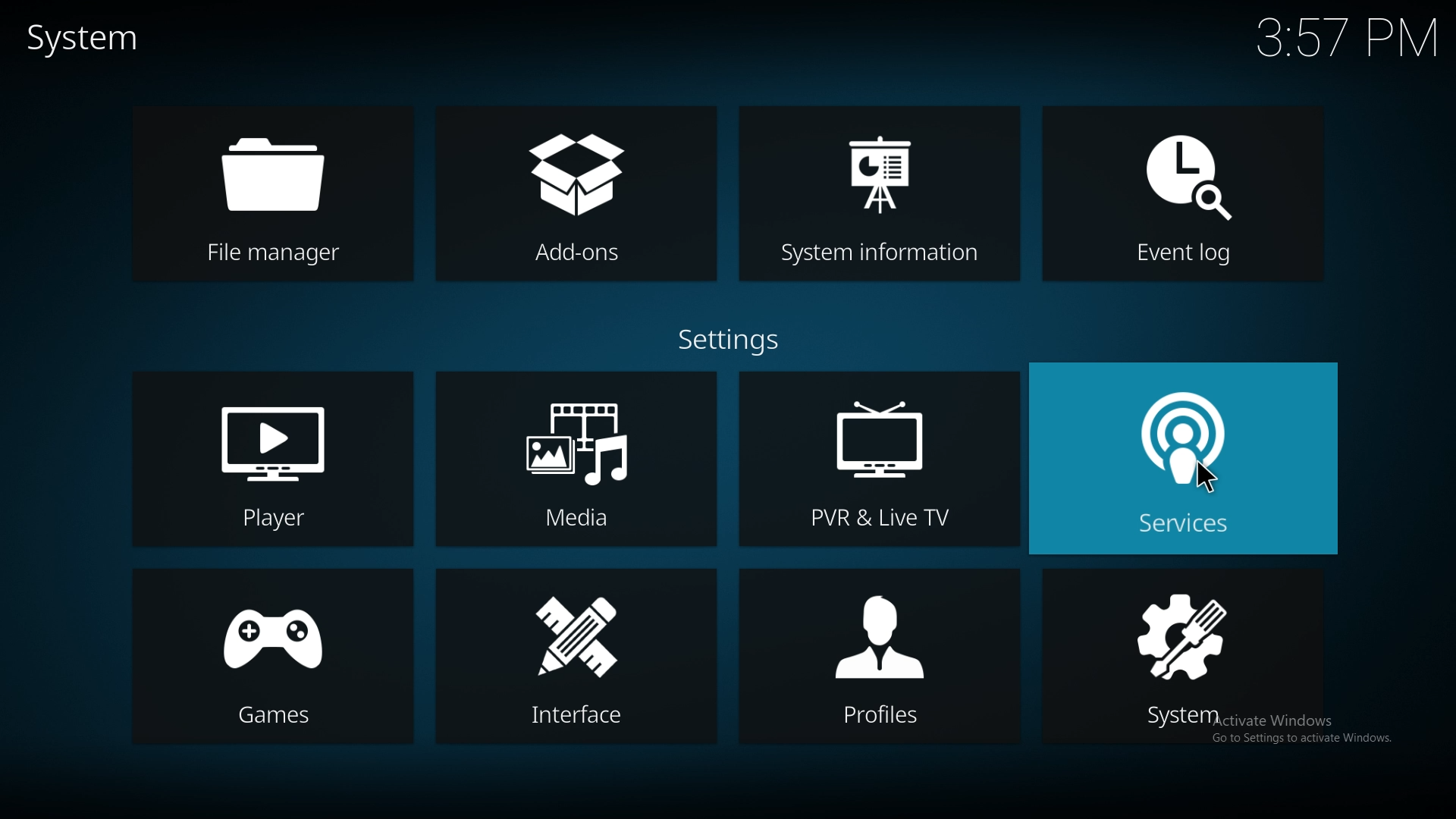 The image size is (1456, 819). What do you see at coordinates (1186, 656) in the screenshot?
I see `system` at bounding box center [1186, 656].